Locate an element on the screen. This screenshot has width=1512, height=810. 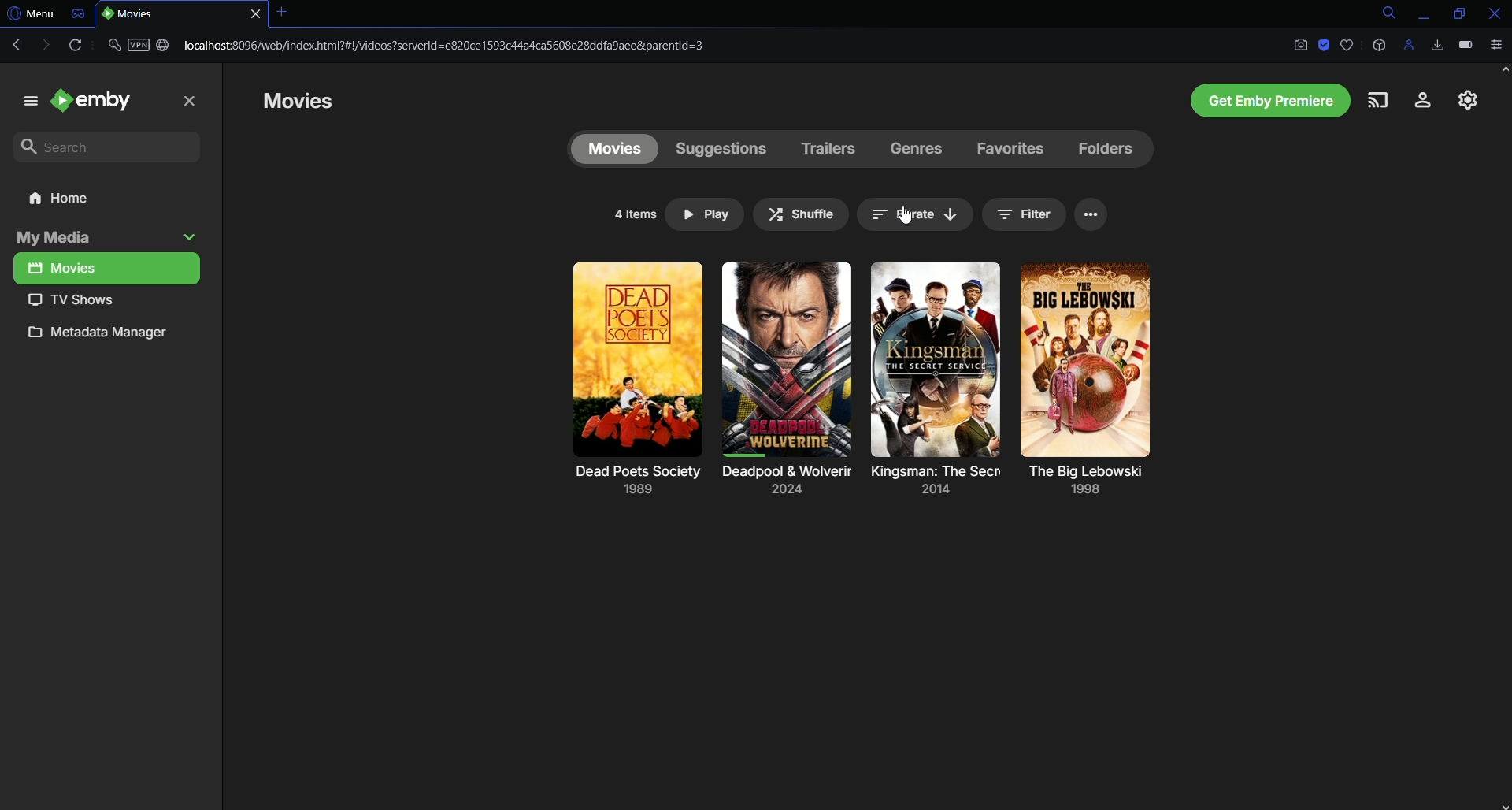
Organise/sort is located at coordinates (913, 215).